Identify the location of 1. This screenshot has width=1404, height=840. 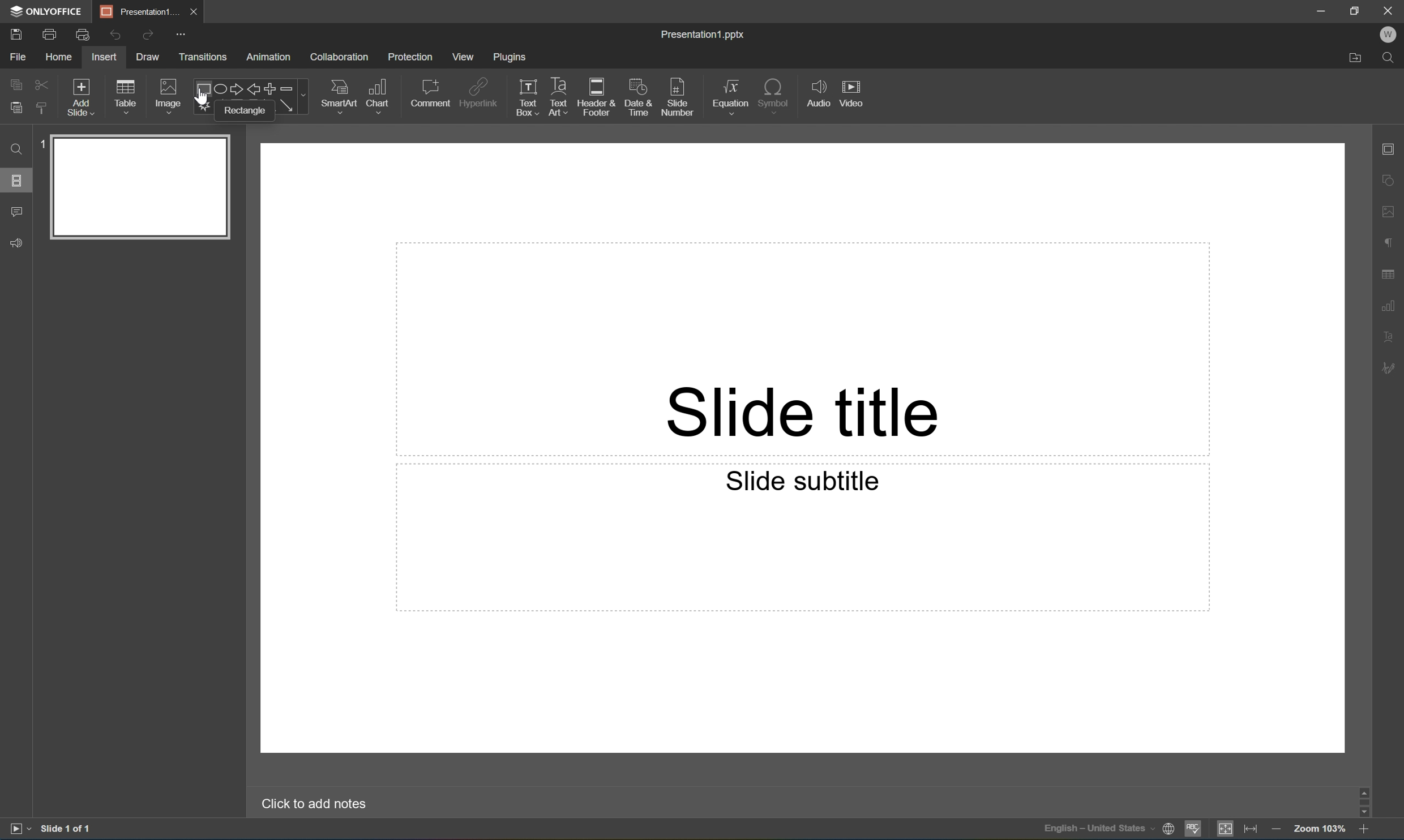
(43, 144).